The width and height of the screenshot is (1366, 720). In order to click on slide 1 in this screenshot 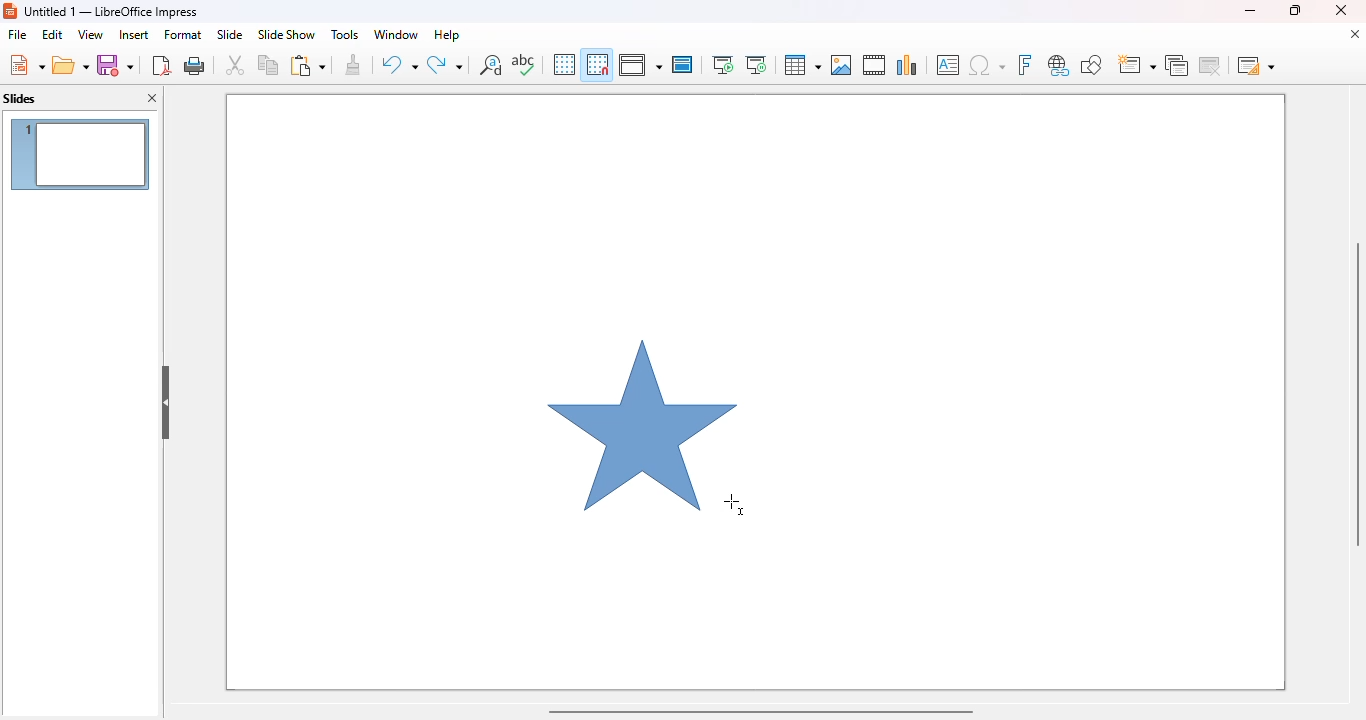, I will do `click(80, 154)`.